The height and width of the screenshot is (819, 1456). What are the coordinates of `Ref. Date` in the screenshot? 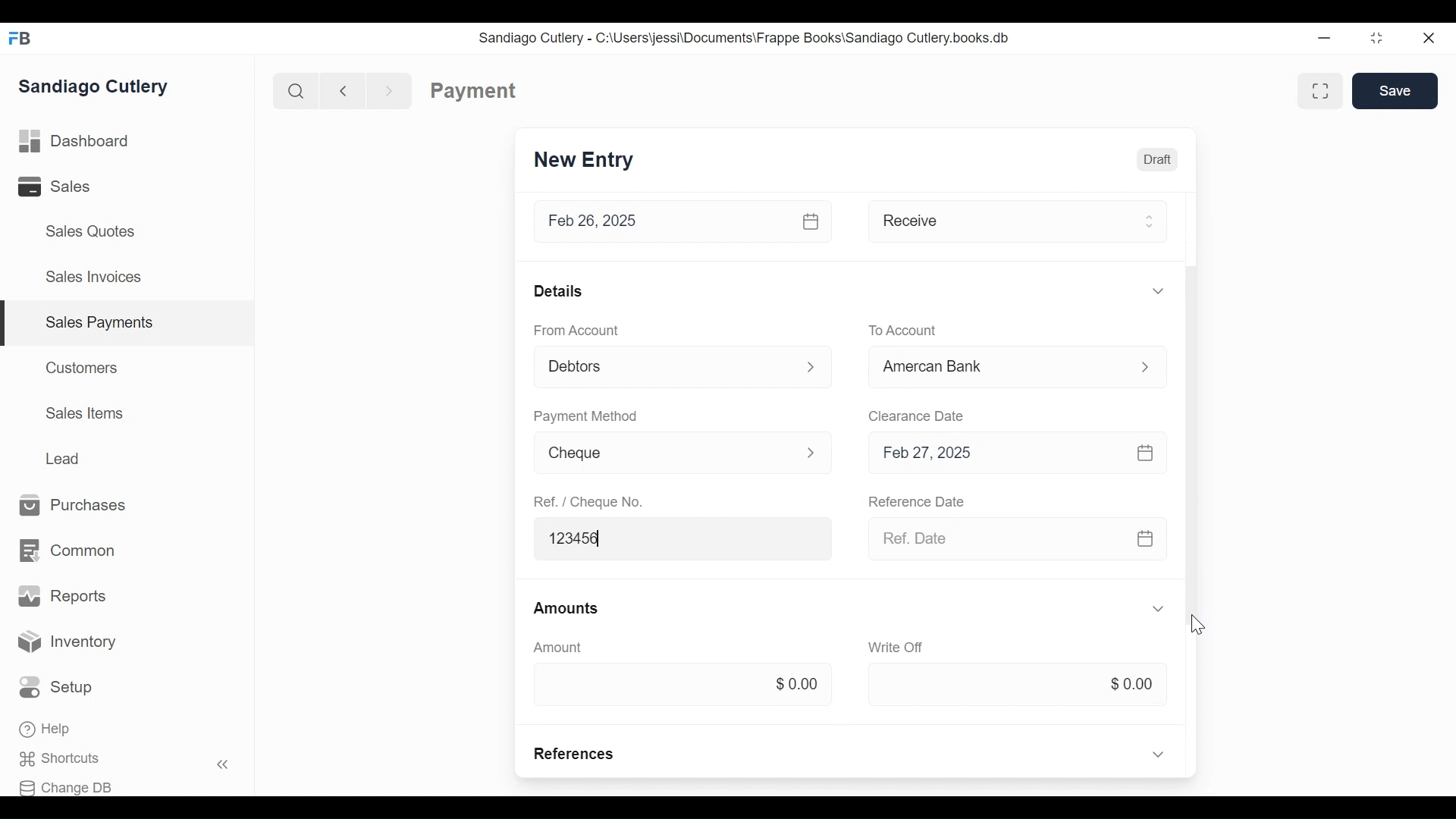 It's located at (994, 538).